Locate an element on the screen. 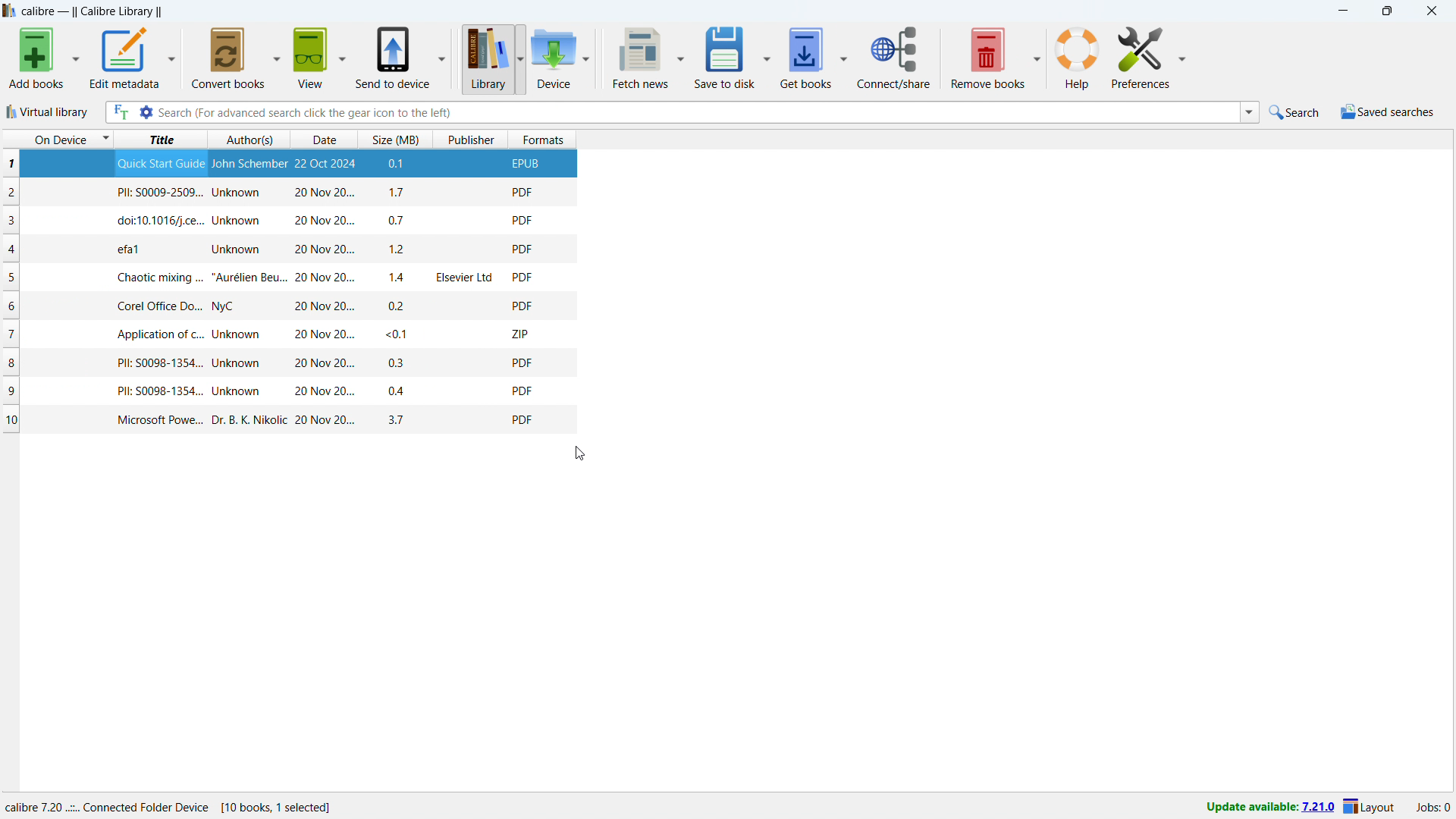 The image size is (1456, 819). search history is located at coordinates (1249, 112).